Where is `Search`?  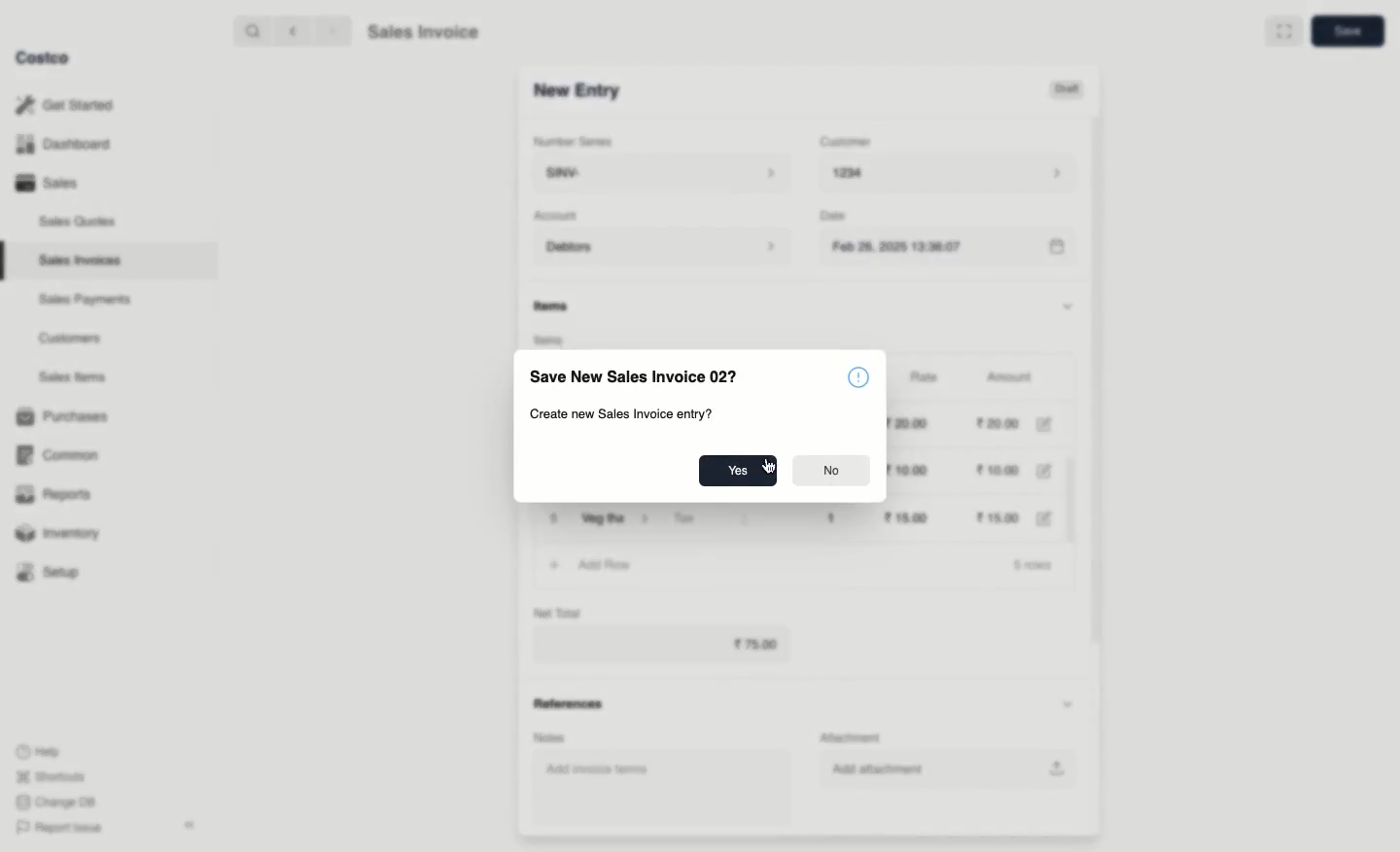 Search is located at coordinates (250, 30).